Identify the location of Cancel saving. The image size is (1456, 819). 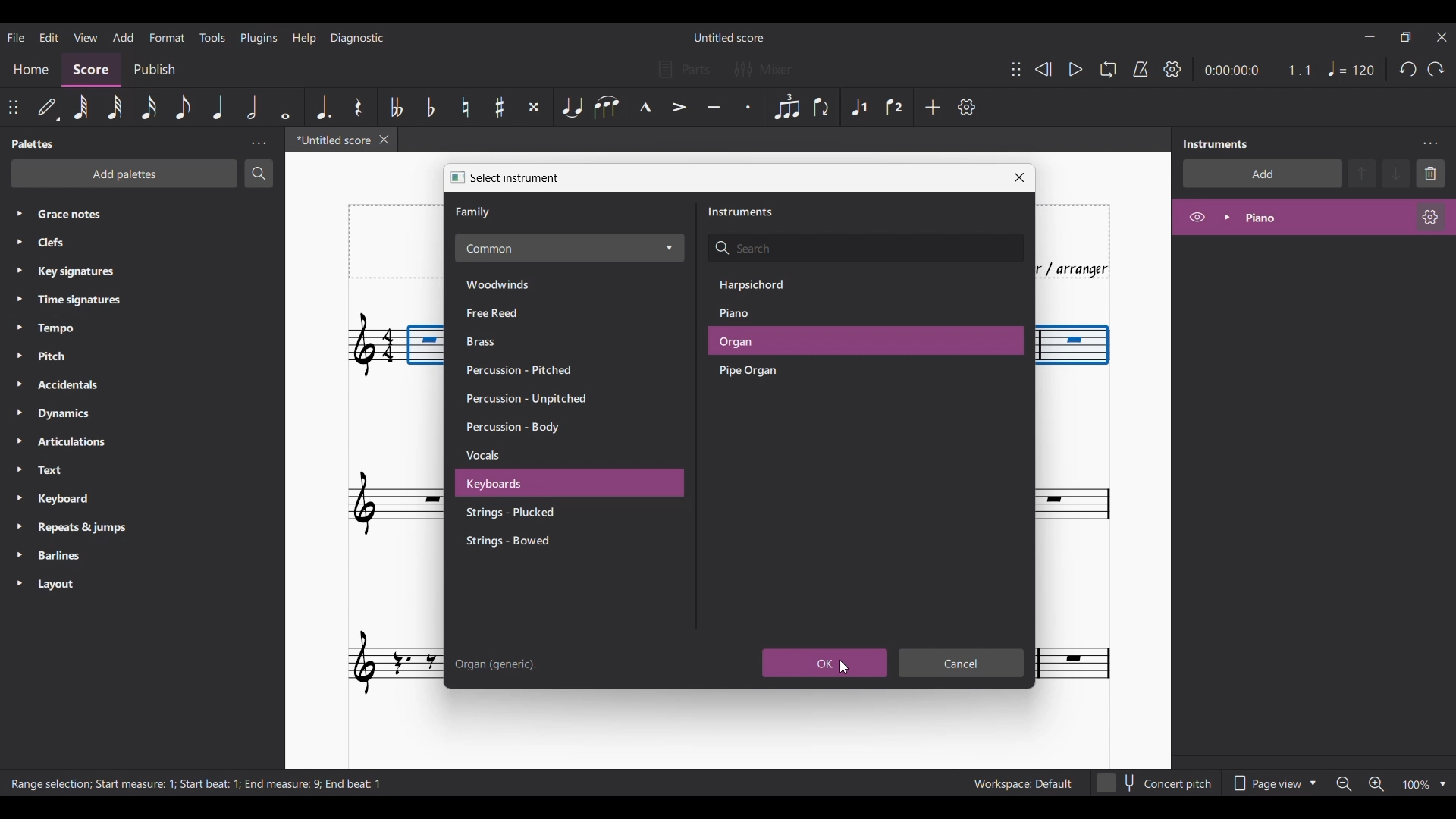
(962, 663).